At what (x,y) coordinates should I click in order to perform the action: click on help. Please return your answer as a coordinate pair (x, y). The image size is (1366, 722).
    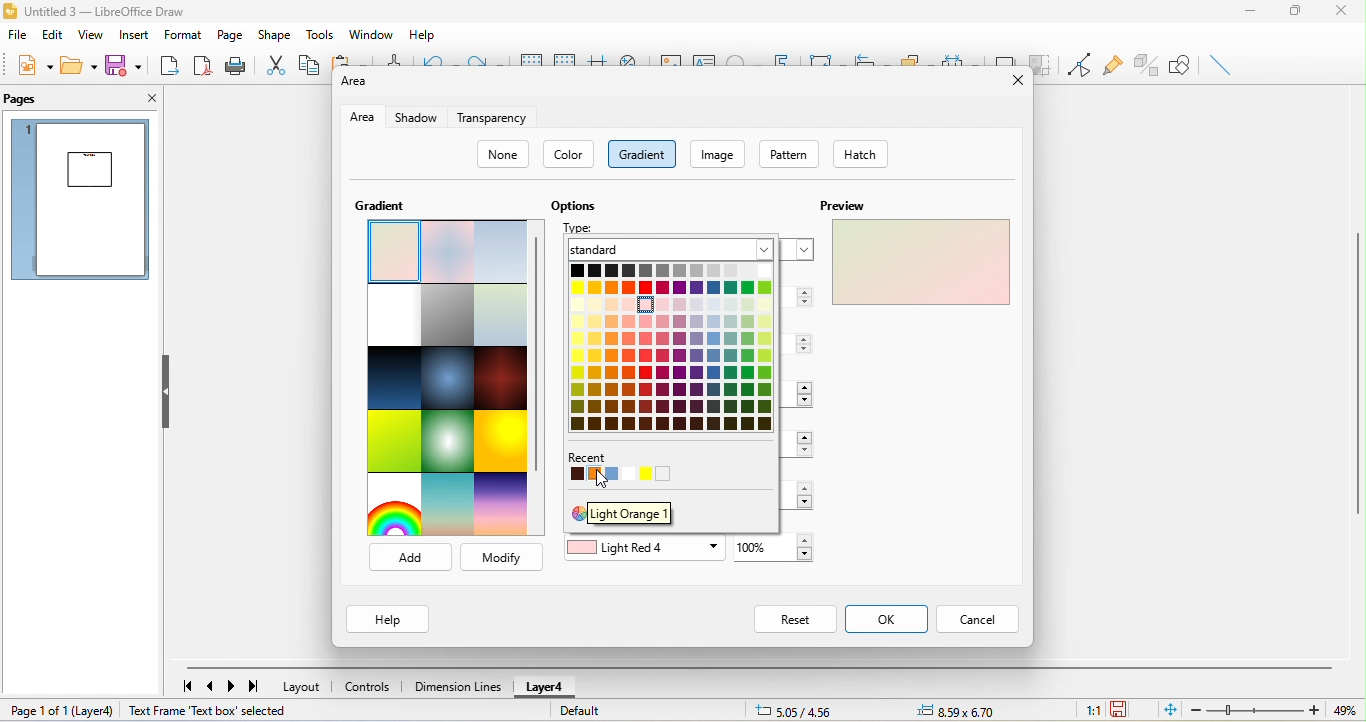
    Looking at the image, I should click on (384, 618).